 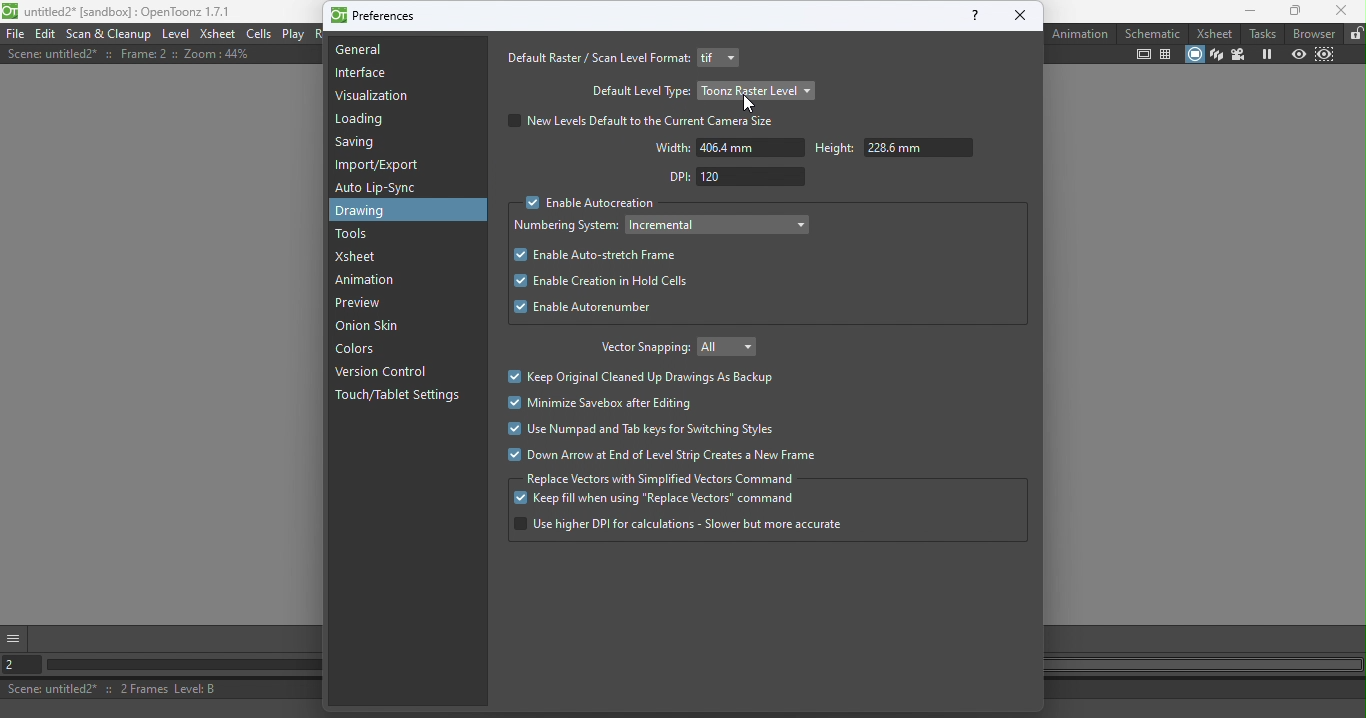 I want to click on Xsheet, so click(x=361, y=257).